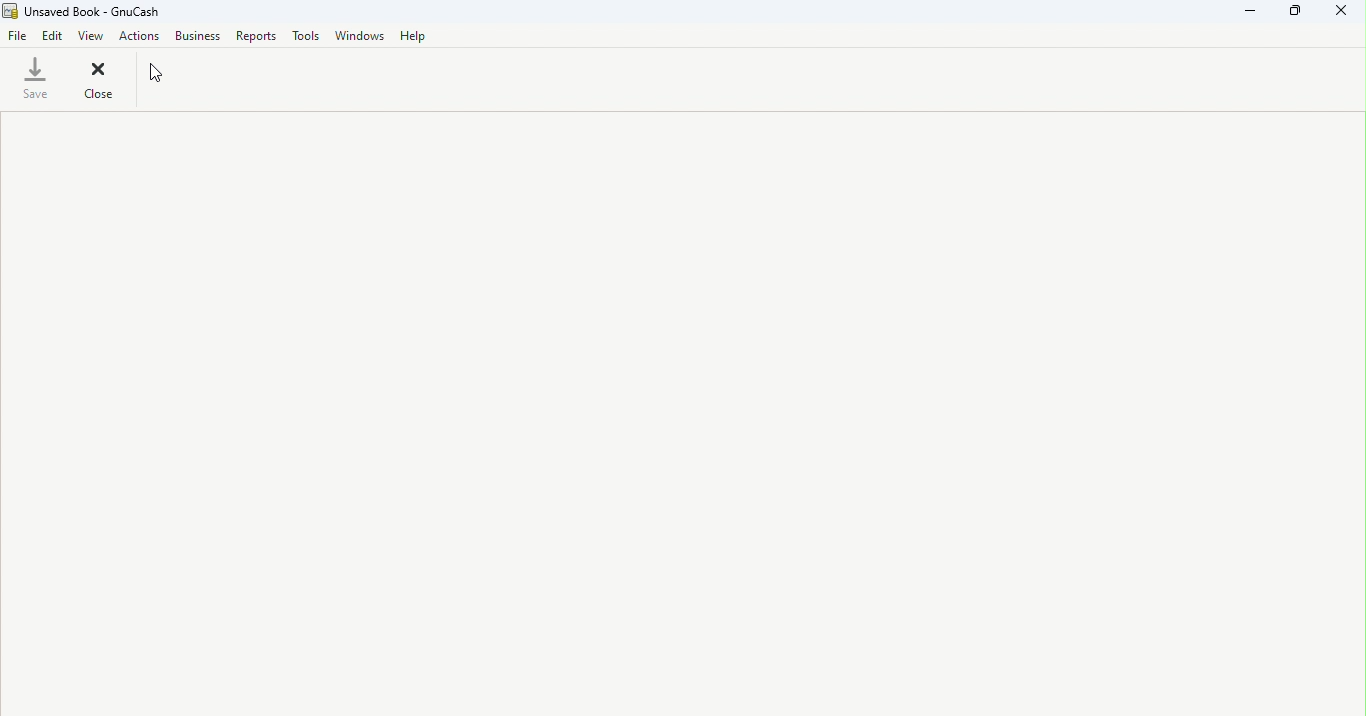  Describe the element at coordinates (54, 38) in the screenshot. I see `Edit` at that location.